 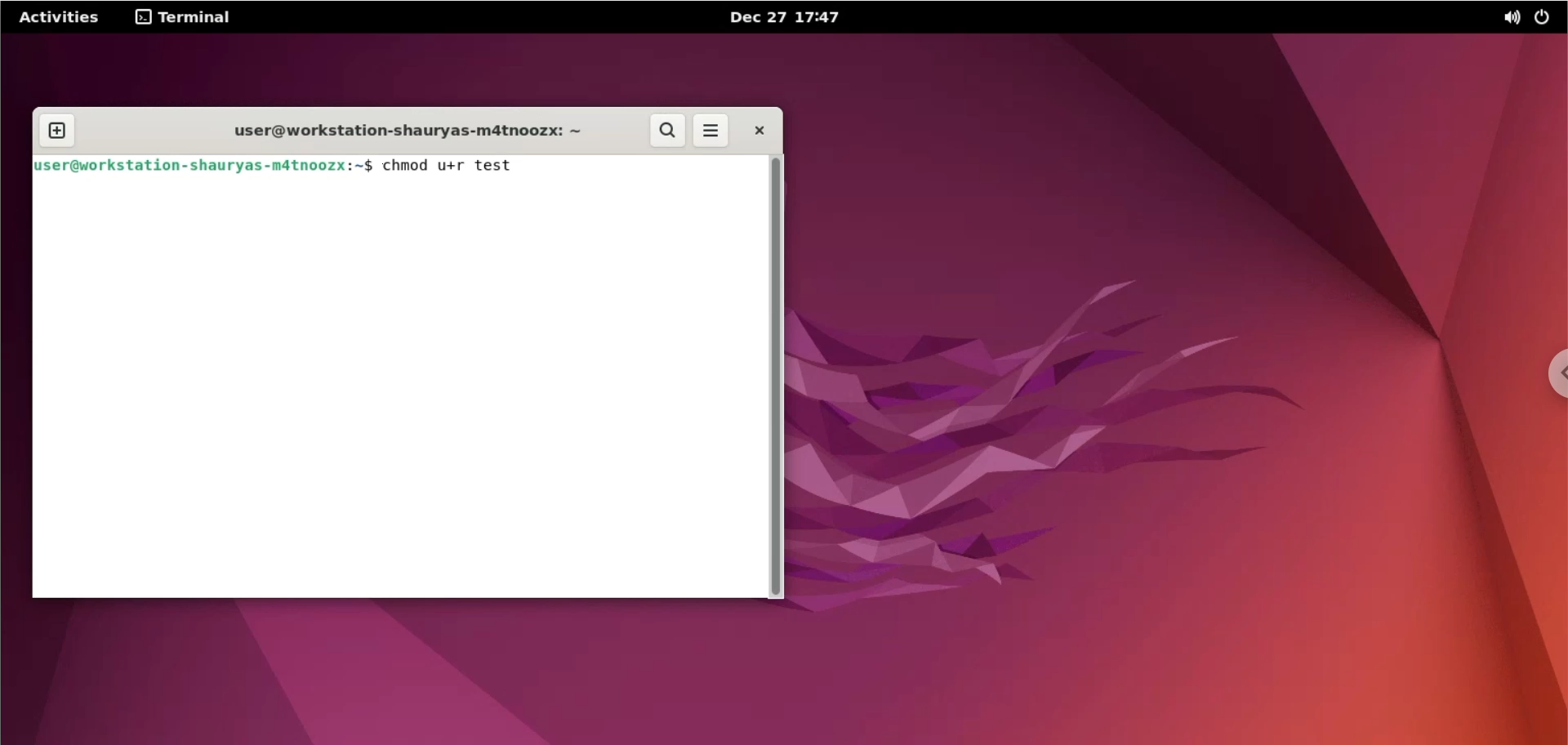 What do you see at coordinates (1546, 16) in the screenshot?
I see `power options` at bounding box center [1546, 16].